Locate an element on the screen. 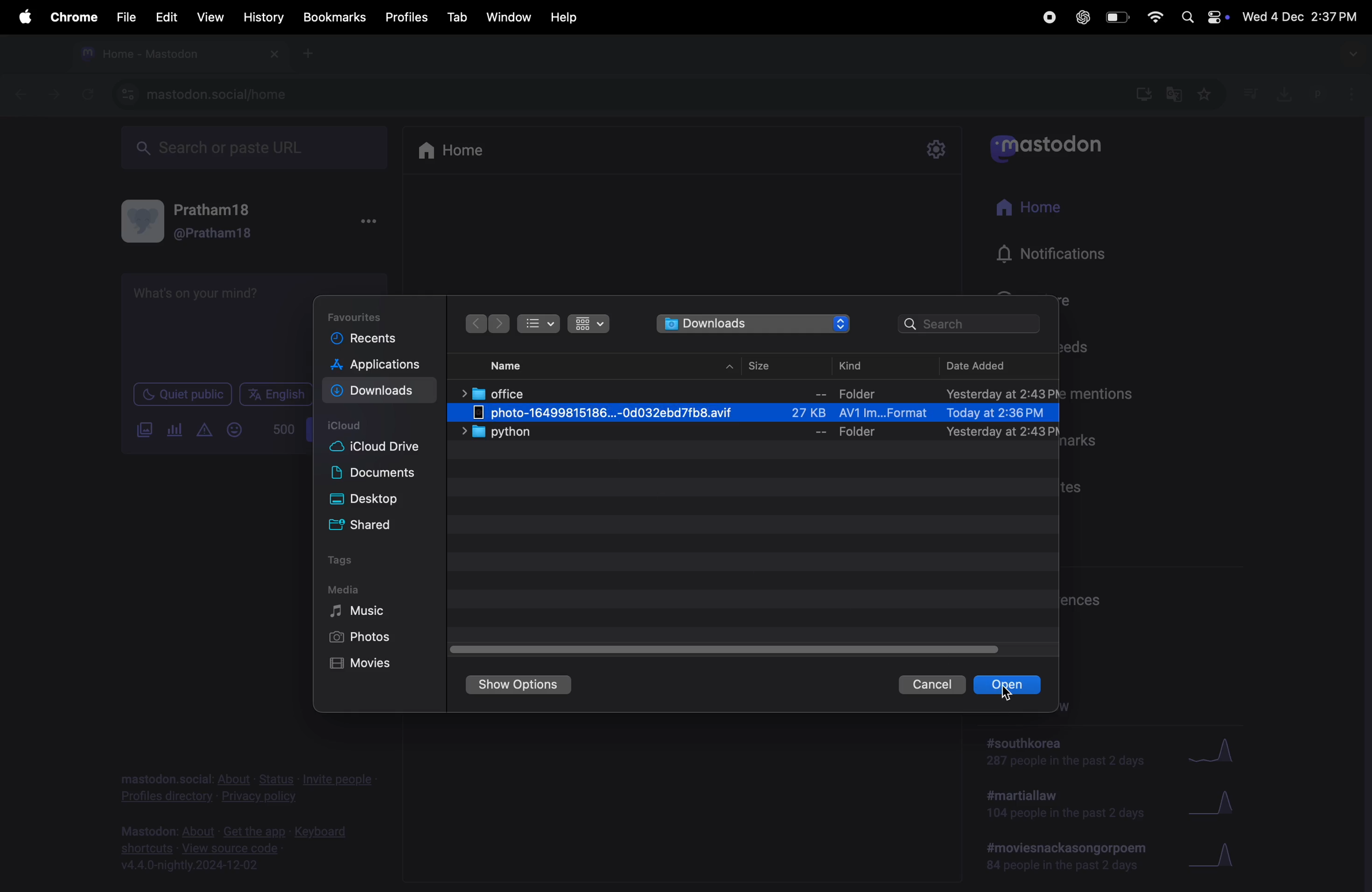 Image resolution: width=1372 pixels, height=892 pixels. size is located at coordinates (764, 365).